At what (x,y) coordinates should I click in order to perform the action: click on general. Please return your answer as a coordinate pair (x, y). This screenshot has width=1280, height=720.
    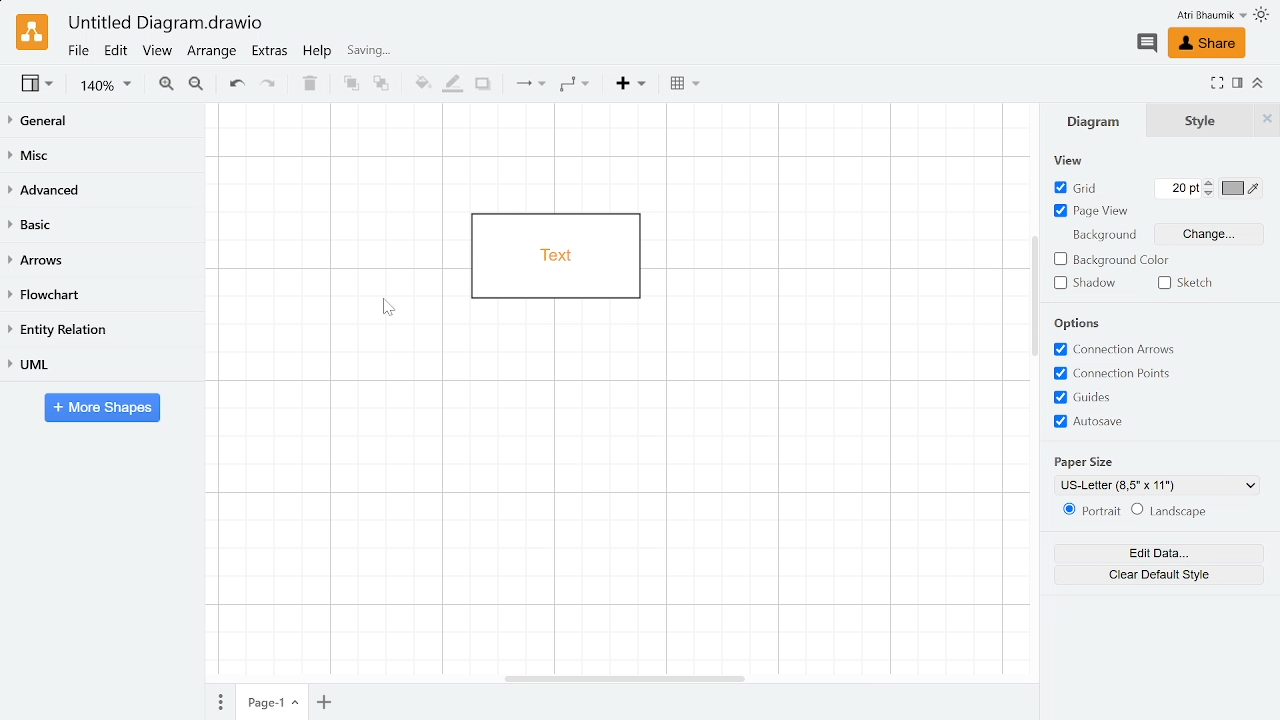
    Looking at the image, I should click on (104, 122).